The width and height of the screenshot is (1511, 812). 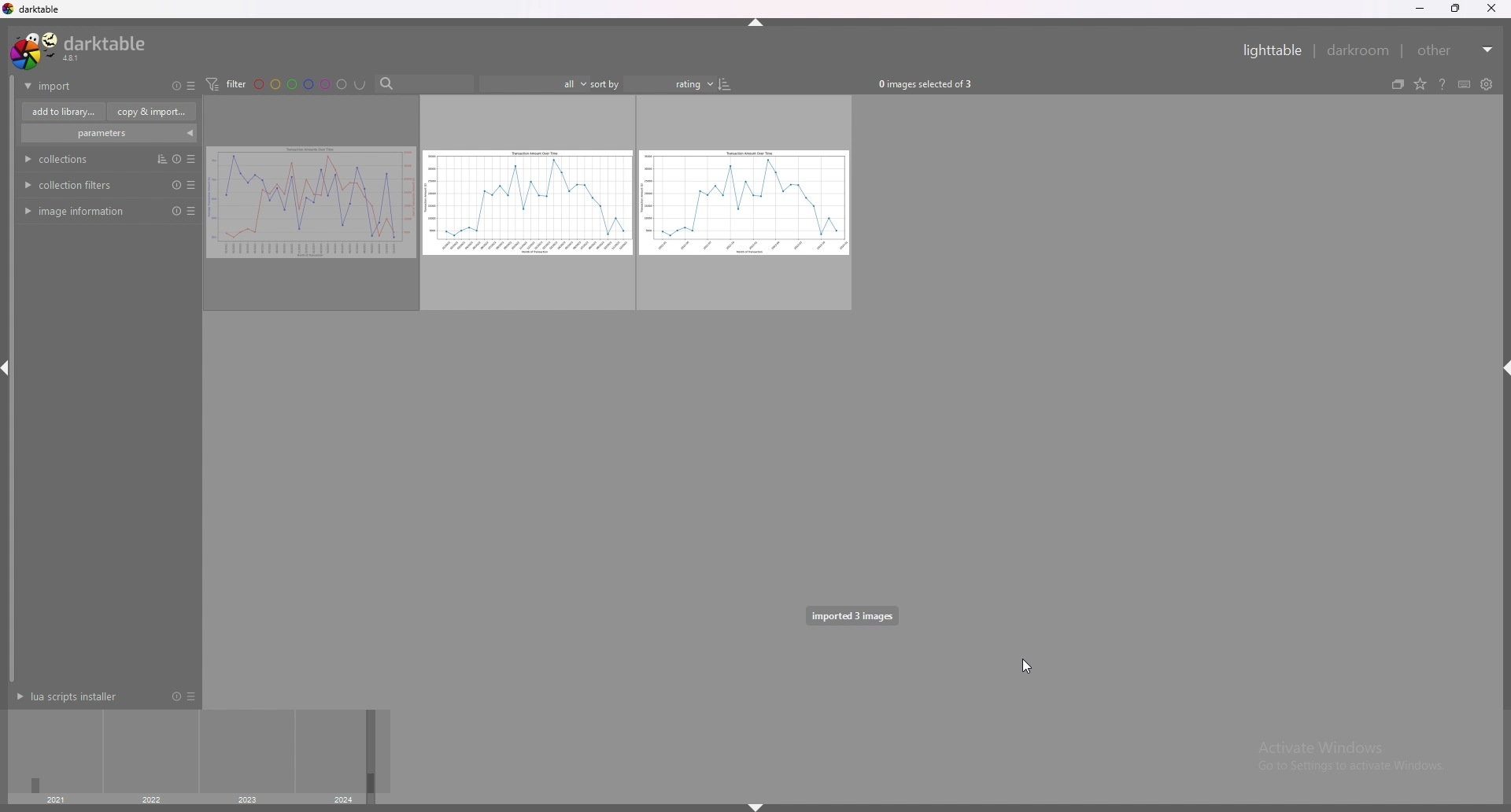 What do you see at coordinates (77, 86) in the screenshot?
I see `import` at bounding box center [77, 86].